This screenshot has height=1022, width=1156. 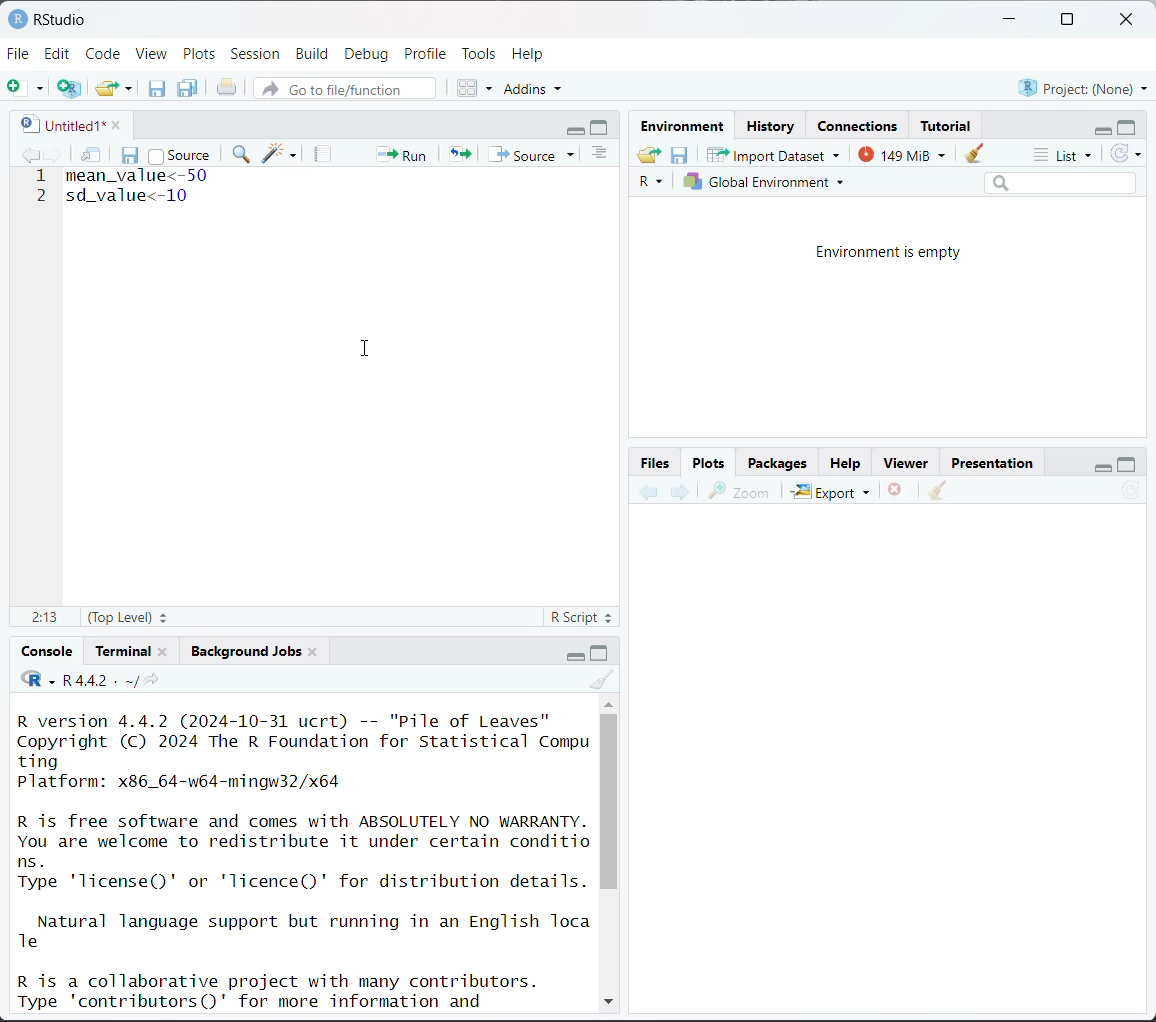 I want to click on save workspace as, so click(x=680, y=156).